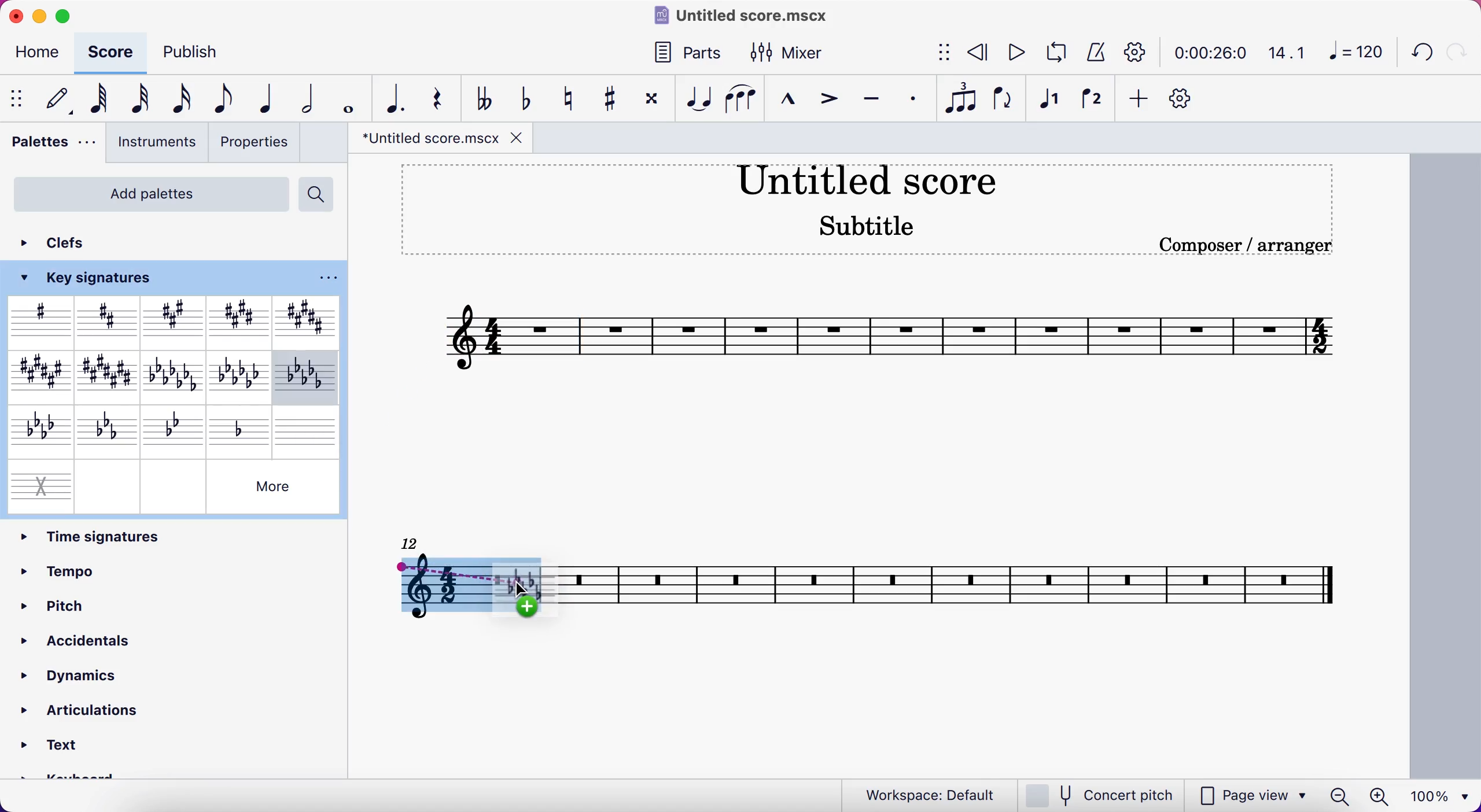 This screenshot has width=1481, height=812. What do you see at coordinates (241, 376) in the screenshot?
I see `E minor` at bounding box center [241, 376].